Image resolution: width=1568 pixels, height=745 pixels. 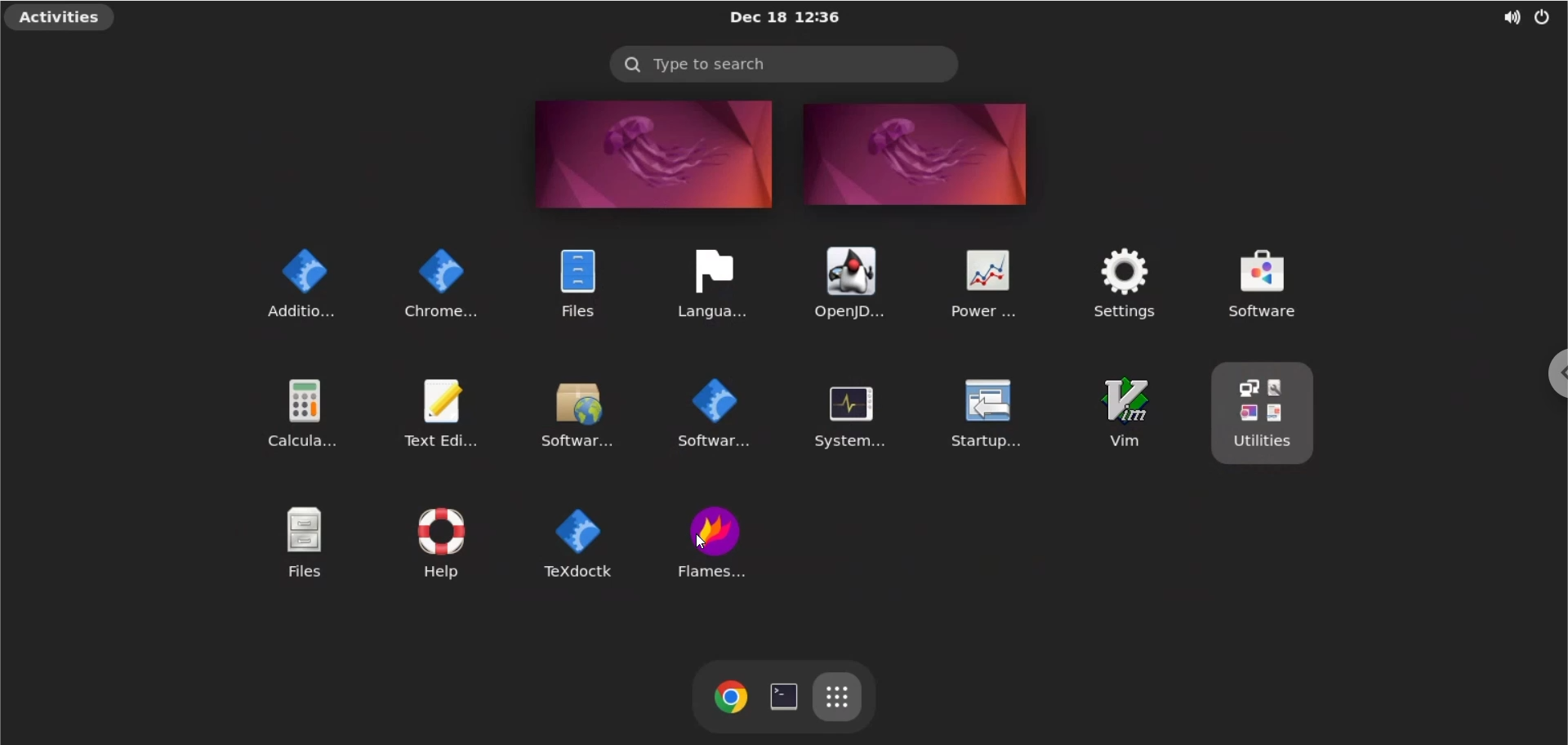 What do you see at coordinates (841, 698) in the screenshot?
I see `applications` at bounding box center [841, 698].